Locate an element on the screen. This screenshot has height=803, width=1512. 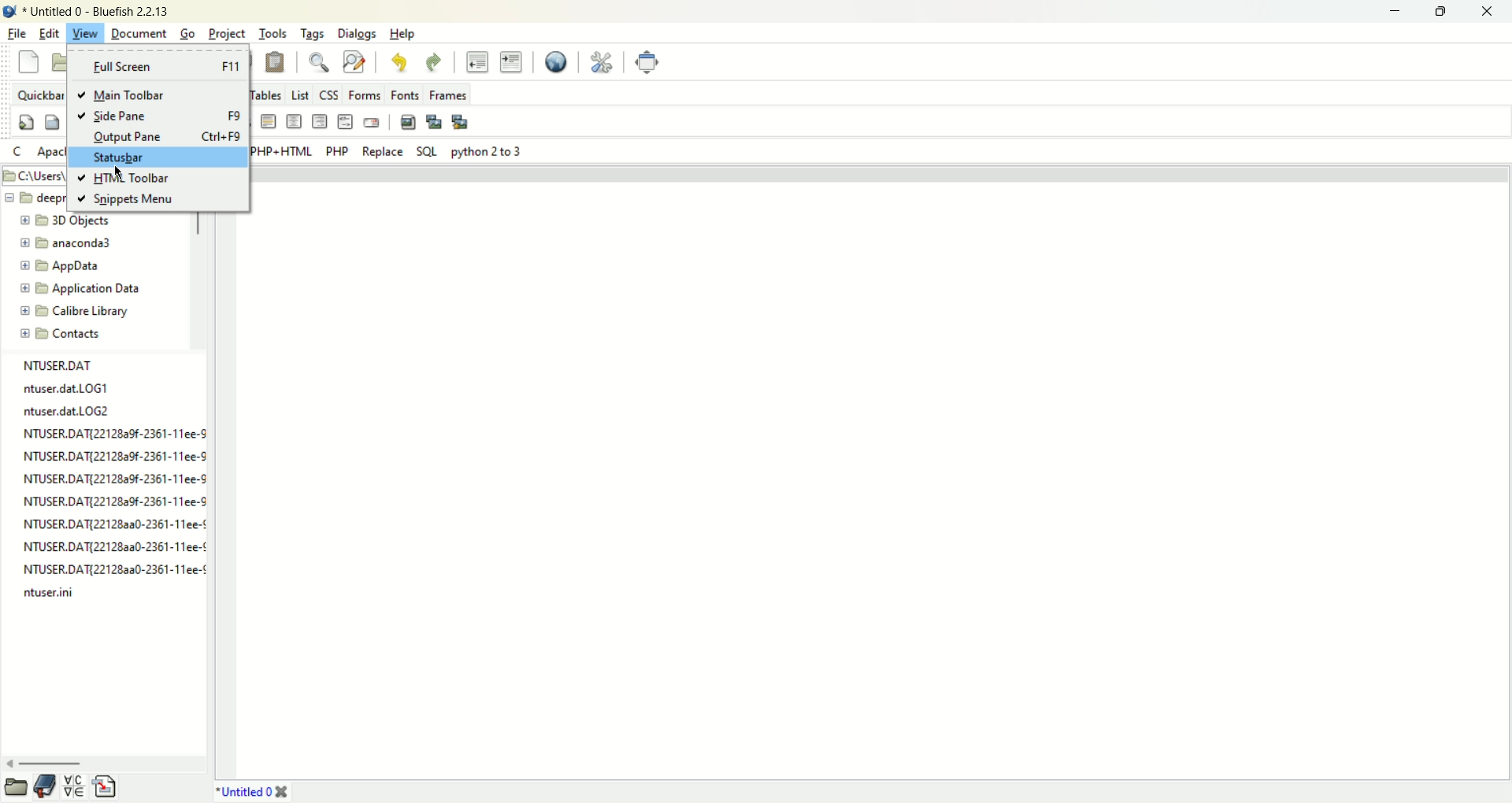
SQL is located at coordinates (427, 151).